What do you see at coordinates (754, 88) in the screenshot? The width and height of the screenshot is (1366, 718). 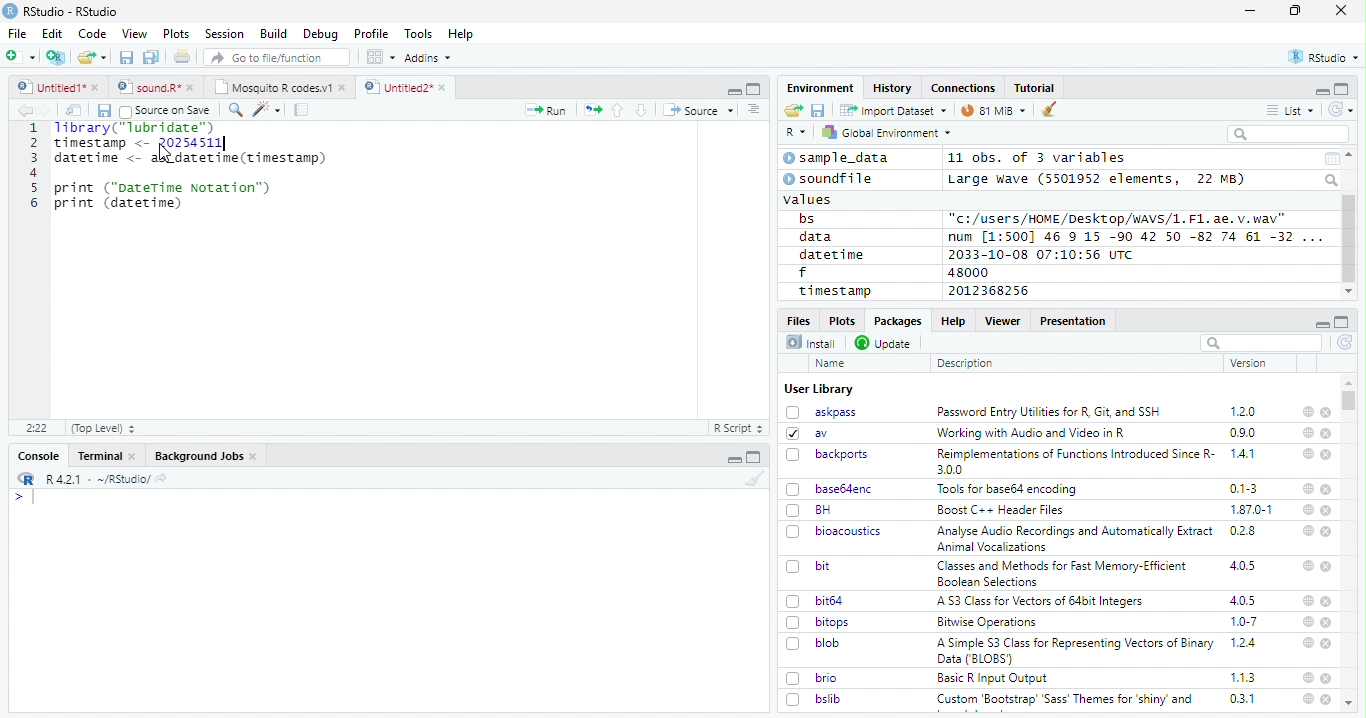 I see `Full screen` at bounding box center [754, 88].